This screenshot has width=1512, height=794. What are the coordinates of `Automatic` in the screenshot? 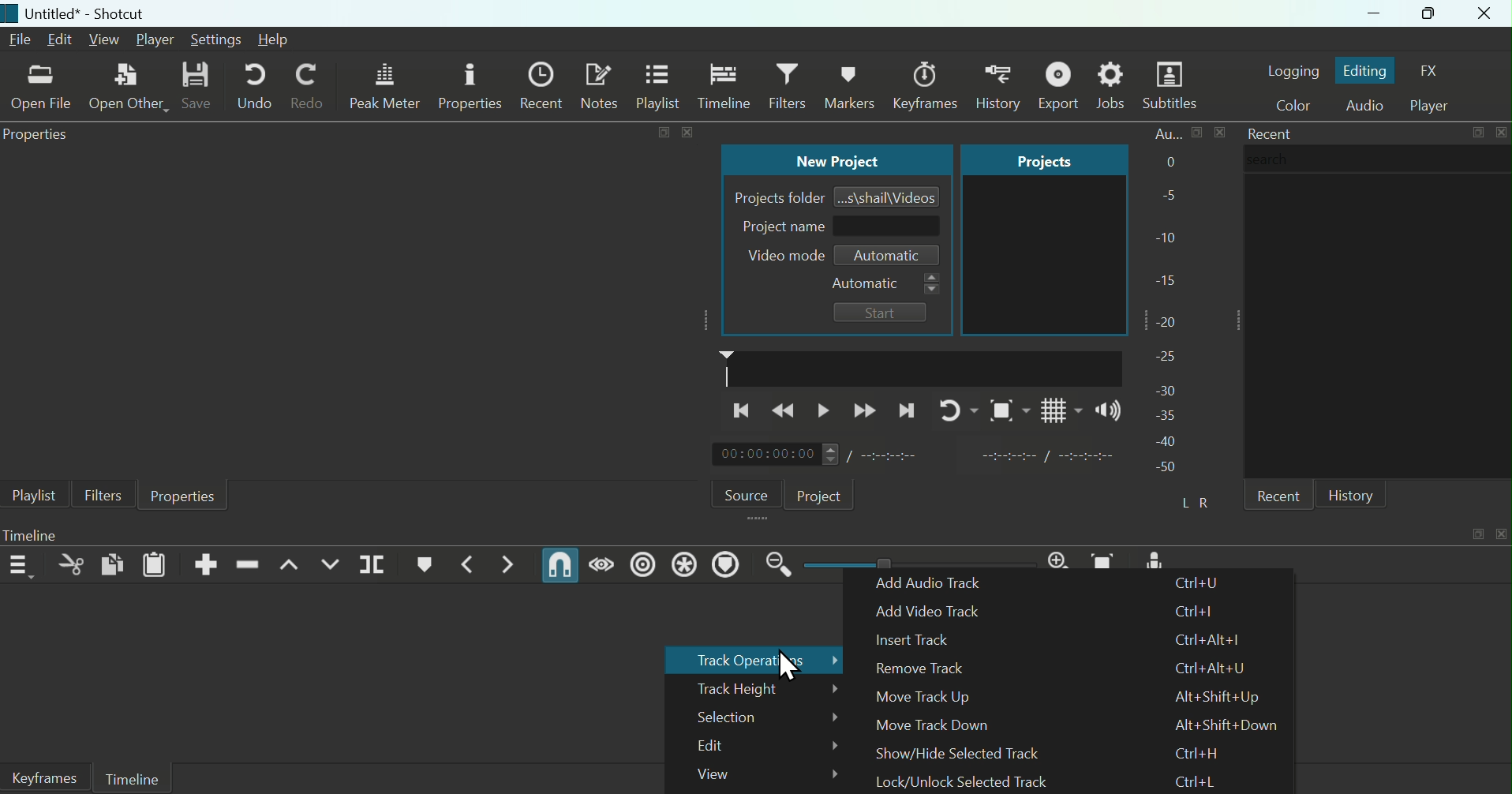 It's located at (888, 255).